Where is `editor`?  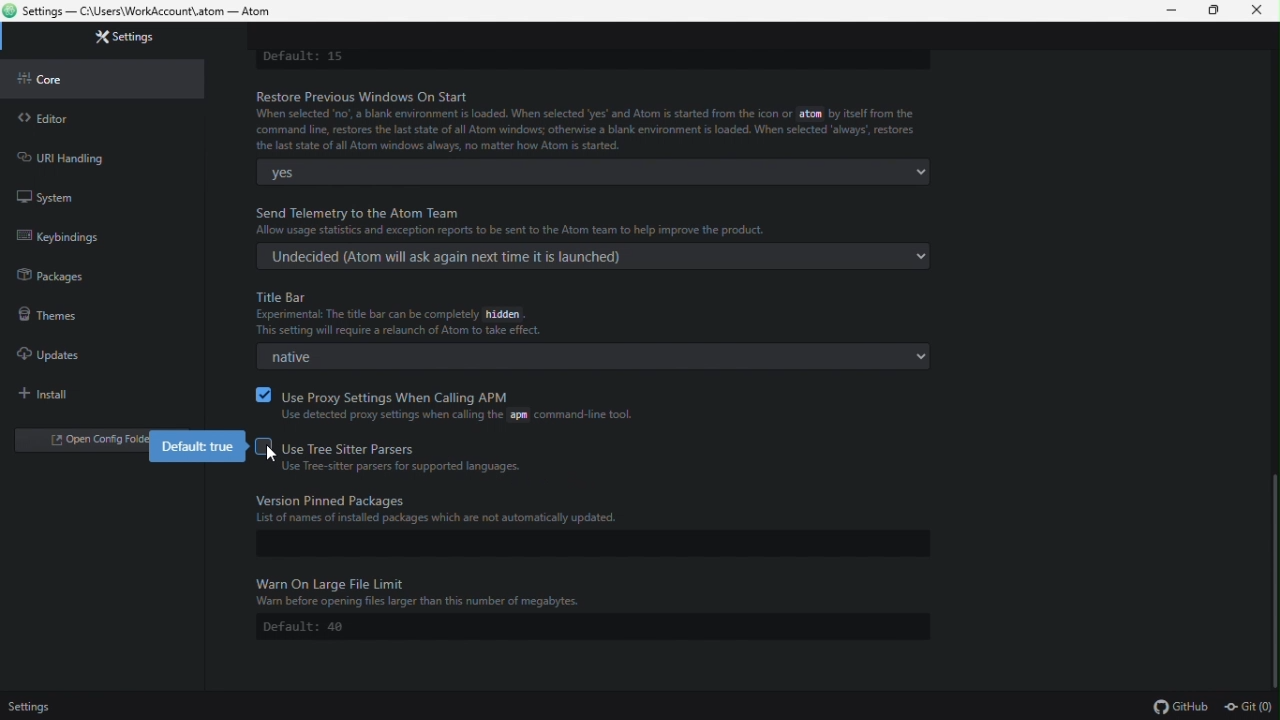
editor is located at coordinates (43, 118).